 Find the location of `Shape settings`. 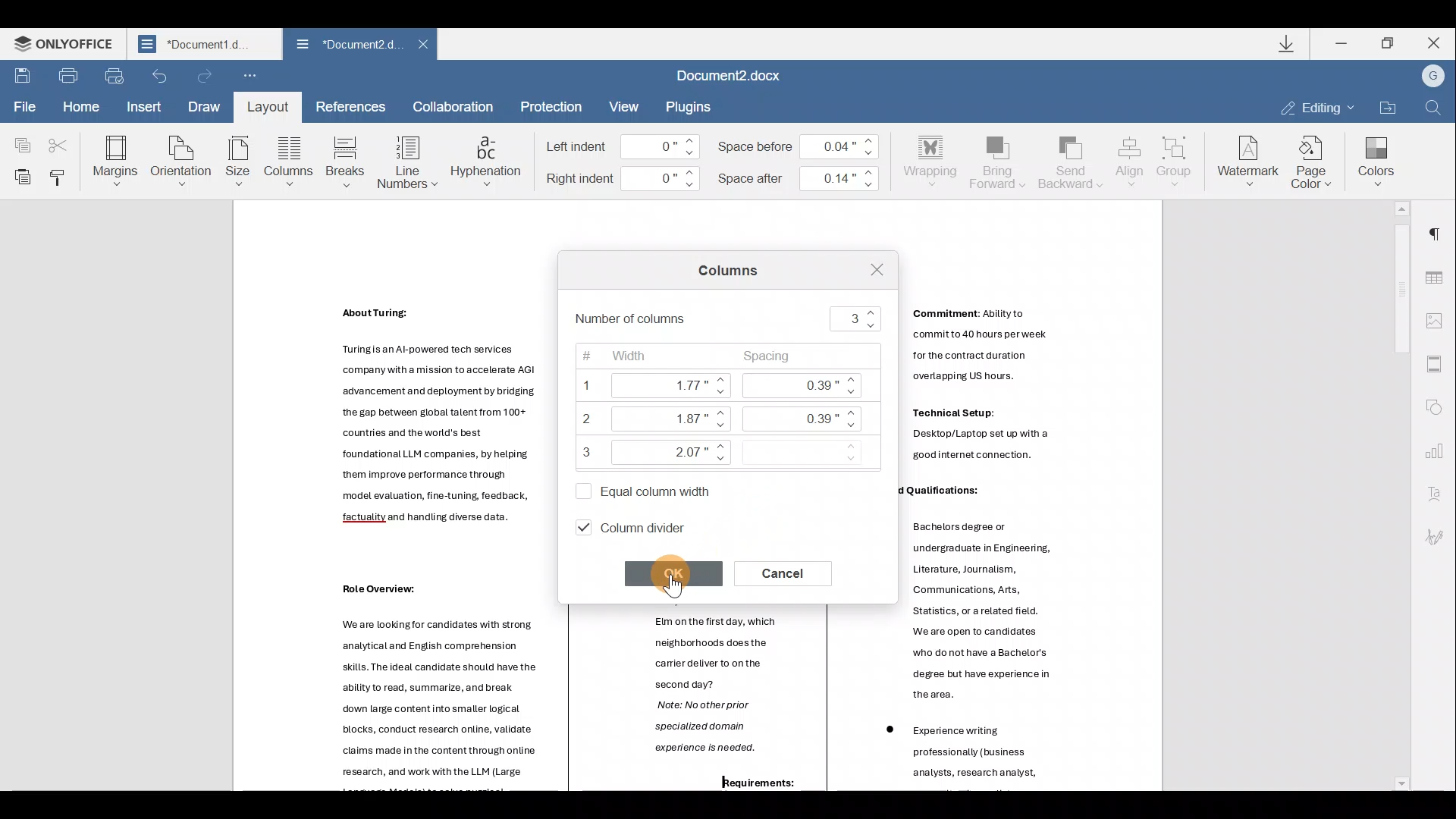

Shape settings is located at coordinates (1439, 409).